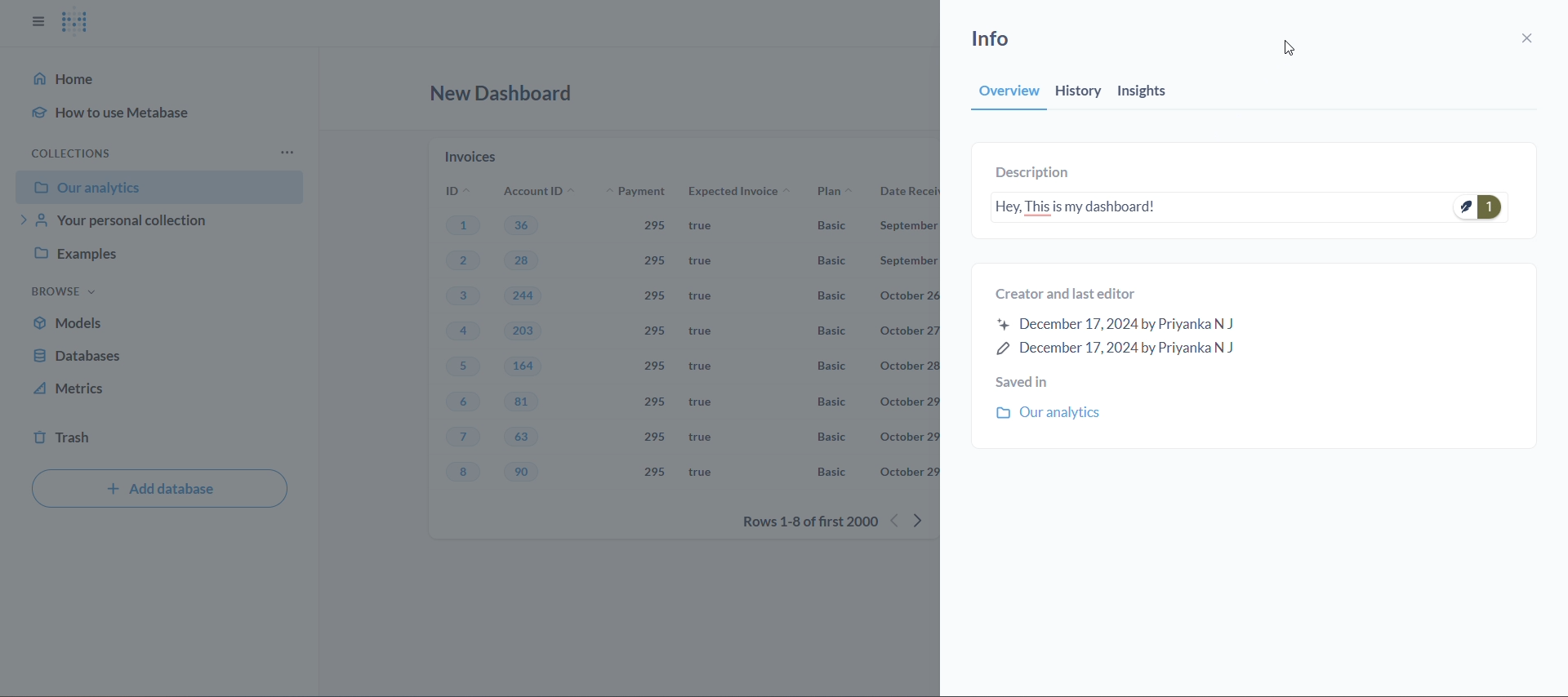  What do you see at coordinates (1005, 37) in the screenshot?
I see `info` at bounding box center [1005, 37].